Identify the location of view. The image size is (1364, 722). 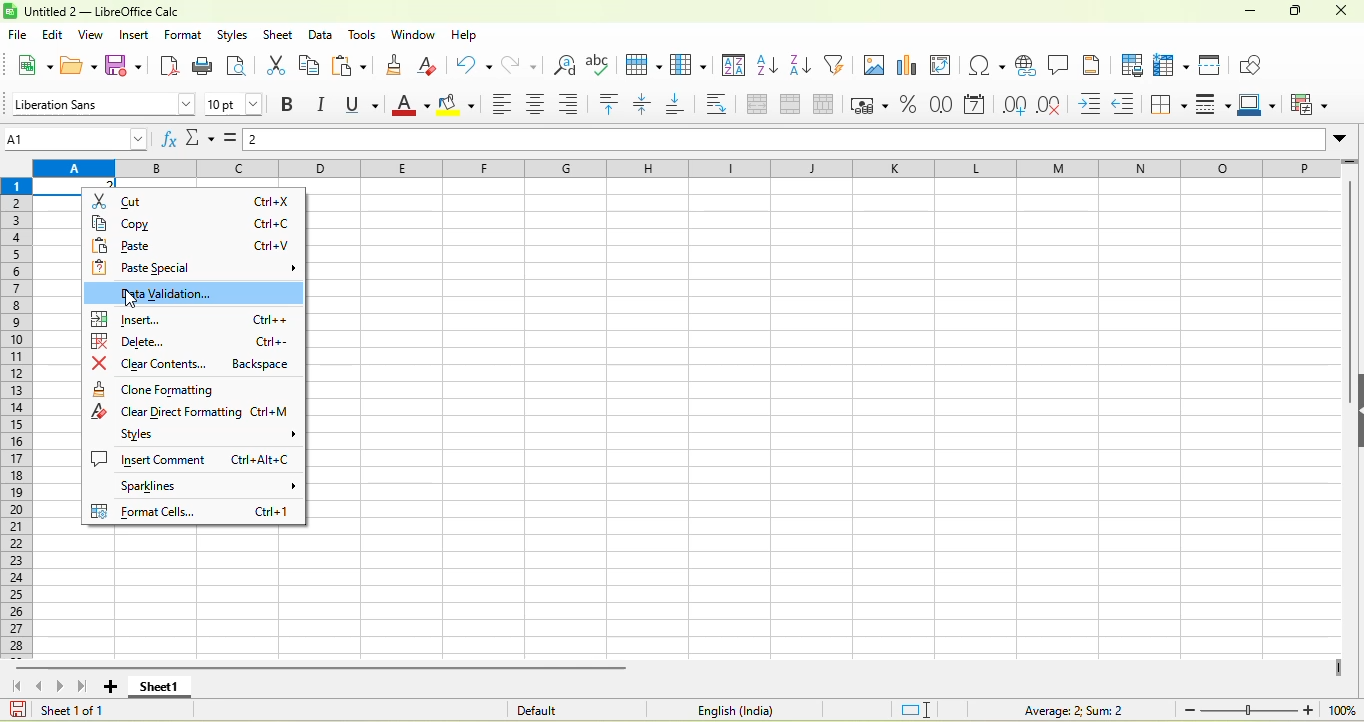
(92, 35).